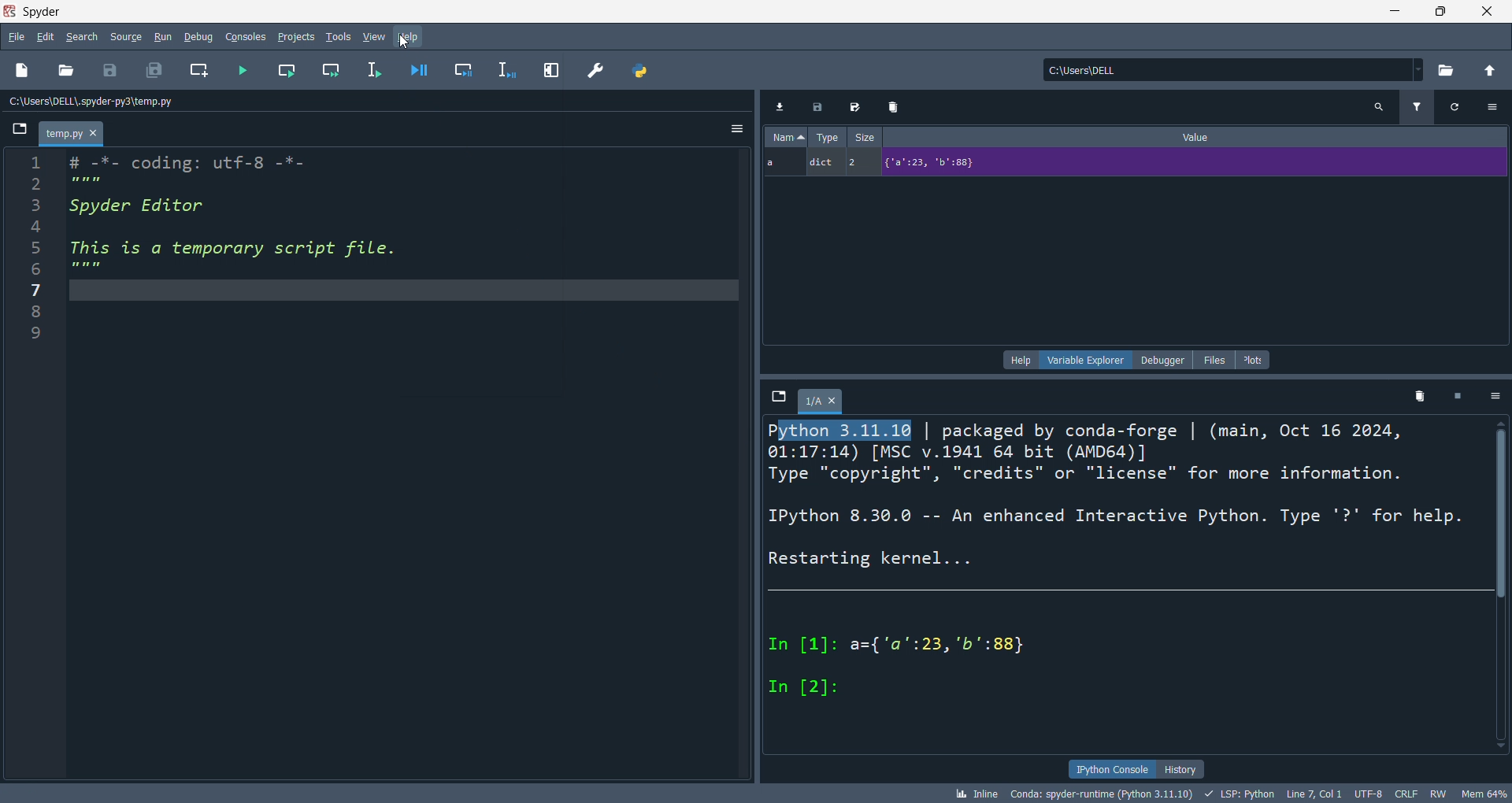 The height and width of the screenshot is (803, 1512). I want to click on debugger, so click(1165, 360).